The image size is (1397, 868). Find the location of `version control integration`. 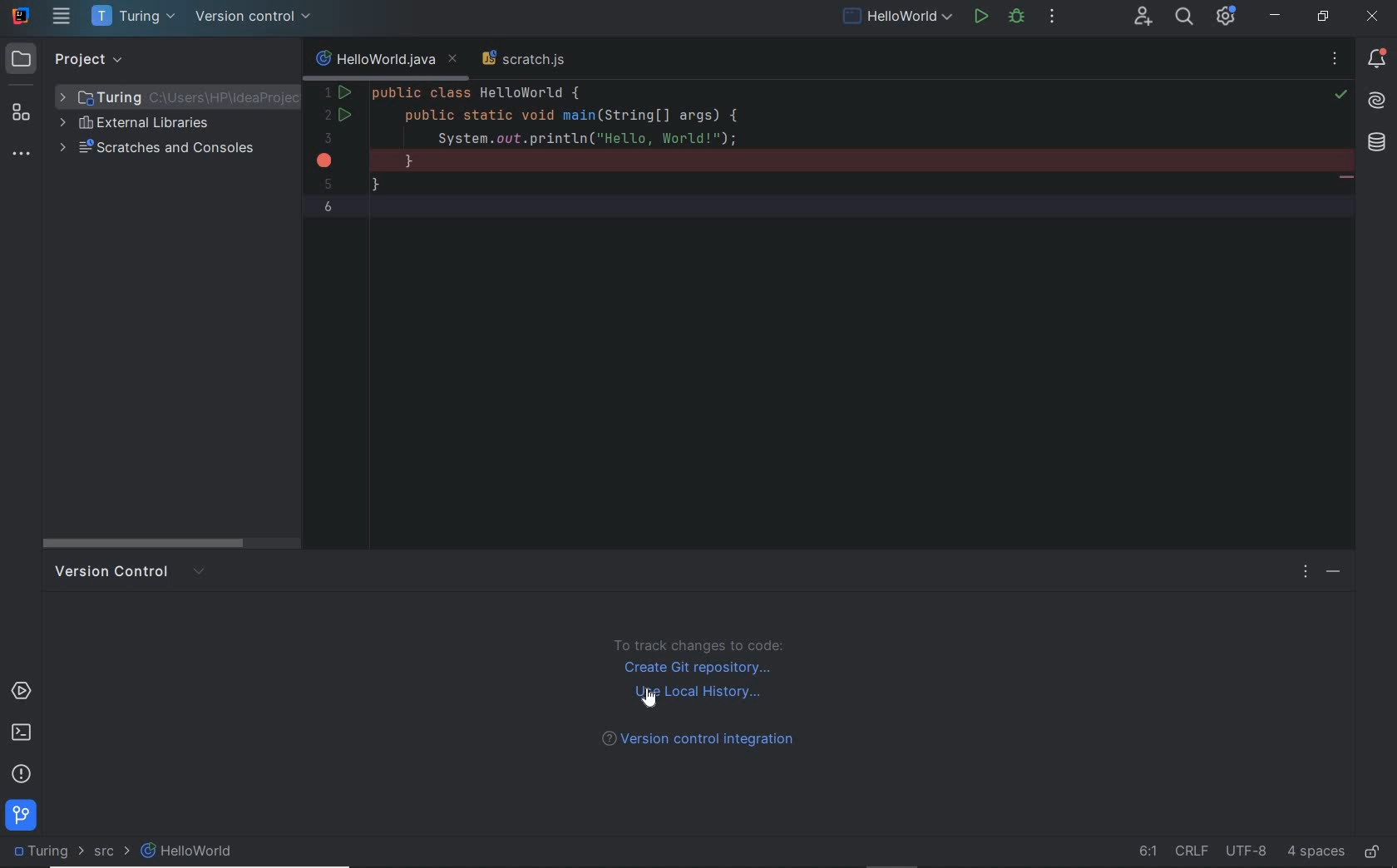

version control integration is located at coordinates (694, 738).